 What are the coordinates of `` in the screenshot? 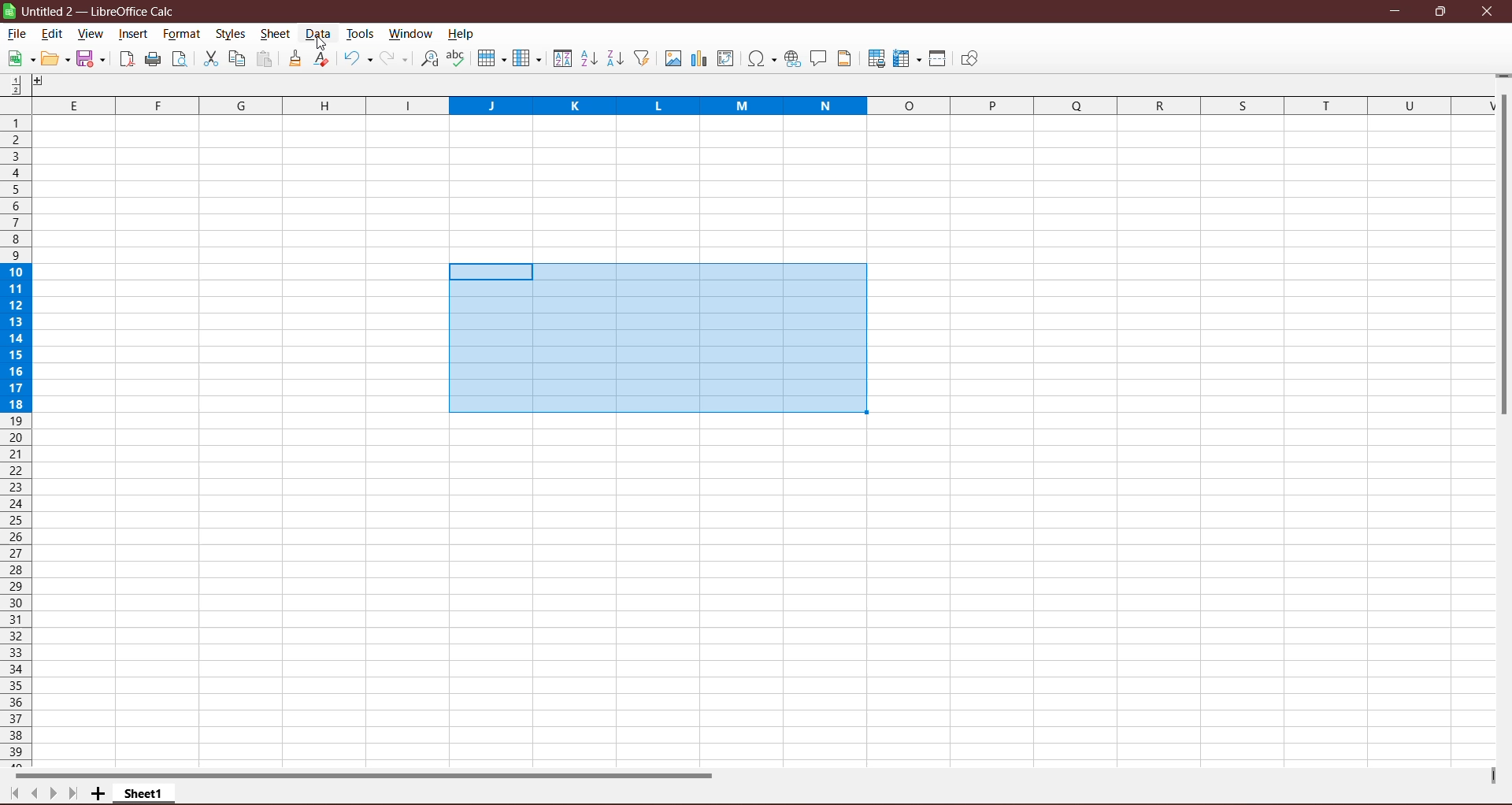 It's located at (45, 83).